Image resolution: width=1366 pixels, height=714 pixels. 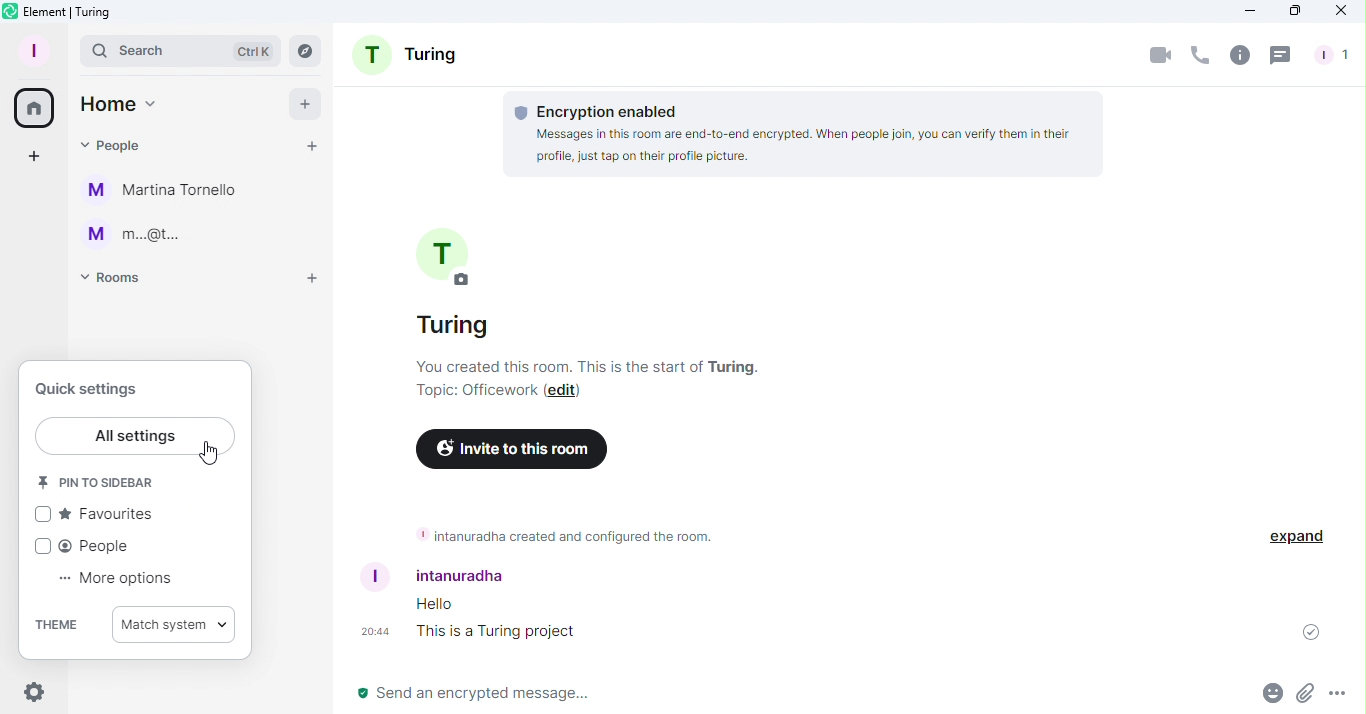 What do you see at coordinates (43, 548) in the screenshot?
I see `checkbox` at bounding box center [43, 548].